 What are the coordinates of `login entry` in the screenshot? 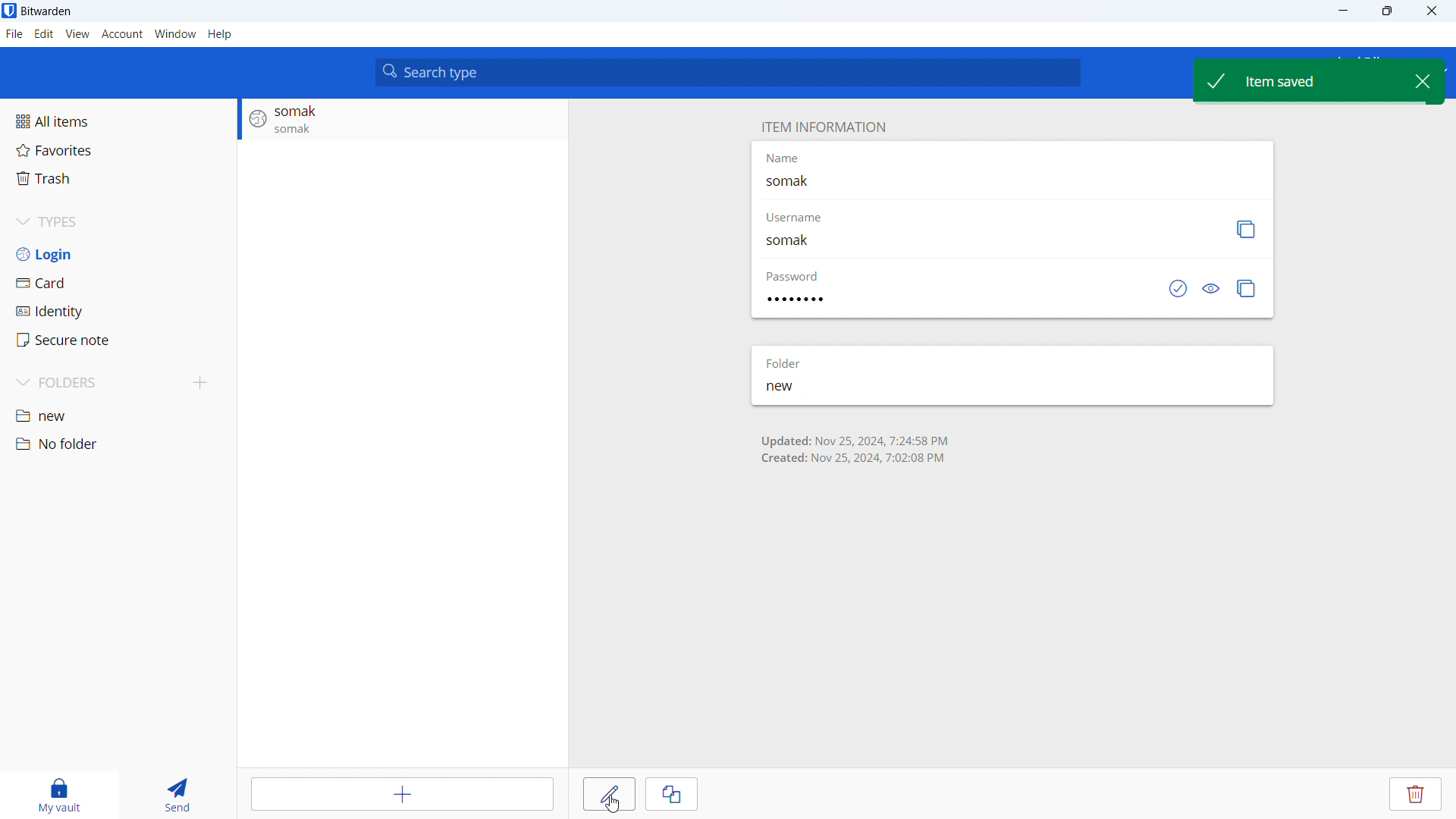 It's located at (402, 120).